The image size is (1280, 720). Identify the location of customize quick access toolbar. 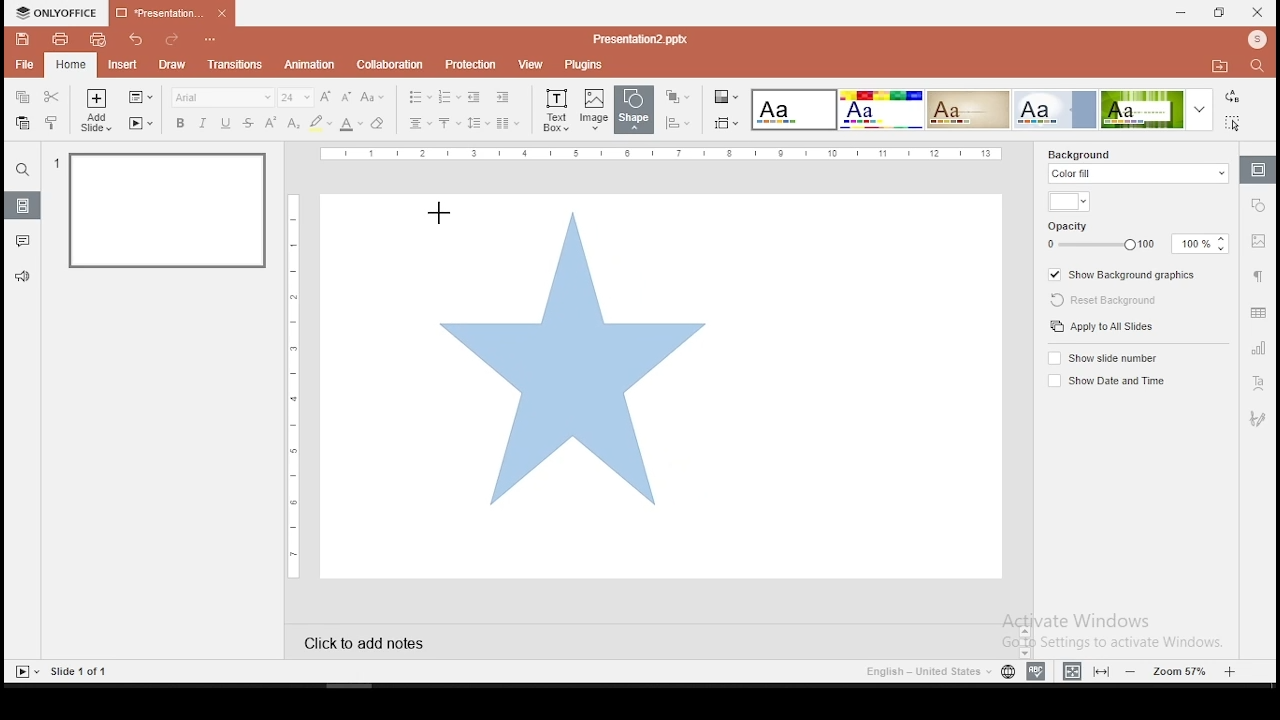
(211, 36).